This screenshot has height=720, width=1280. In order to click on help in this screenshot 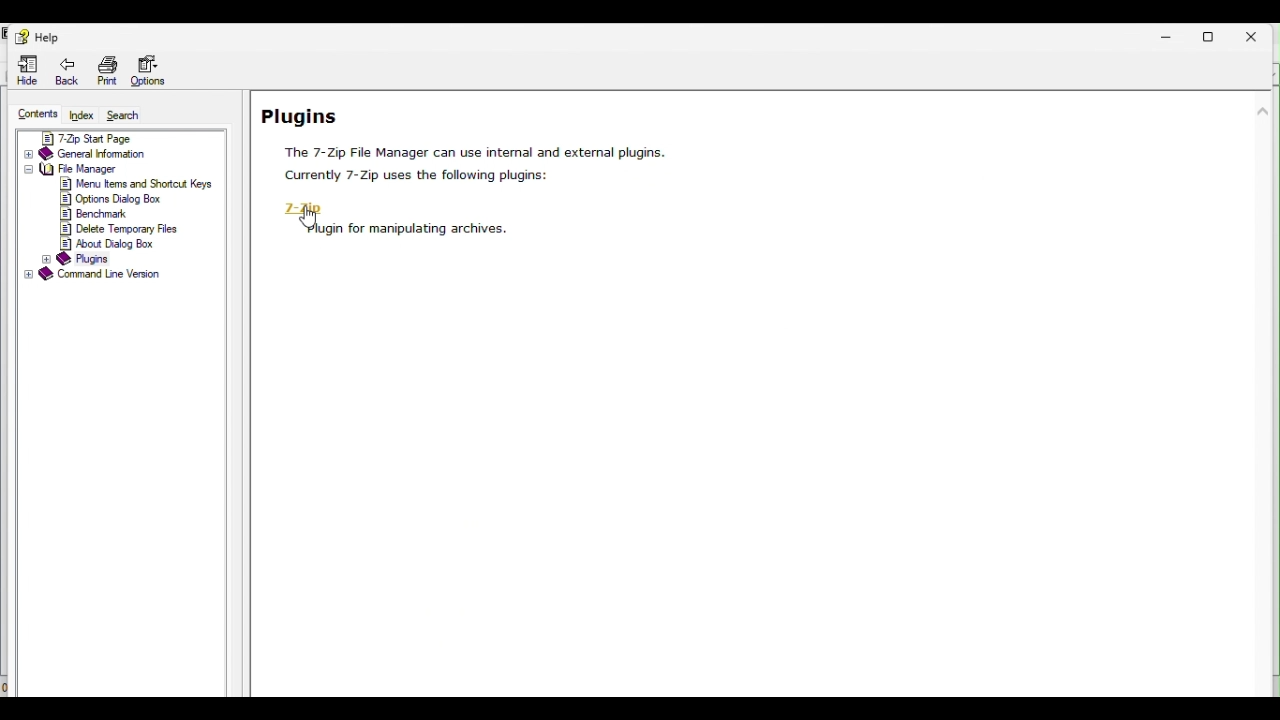, I will do `click(35, 36)`.